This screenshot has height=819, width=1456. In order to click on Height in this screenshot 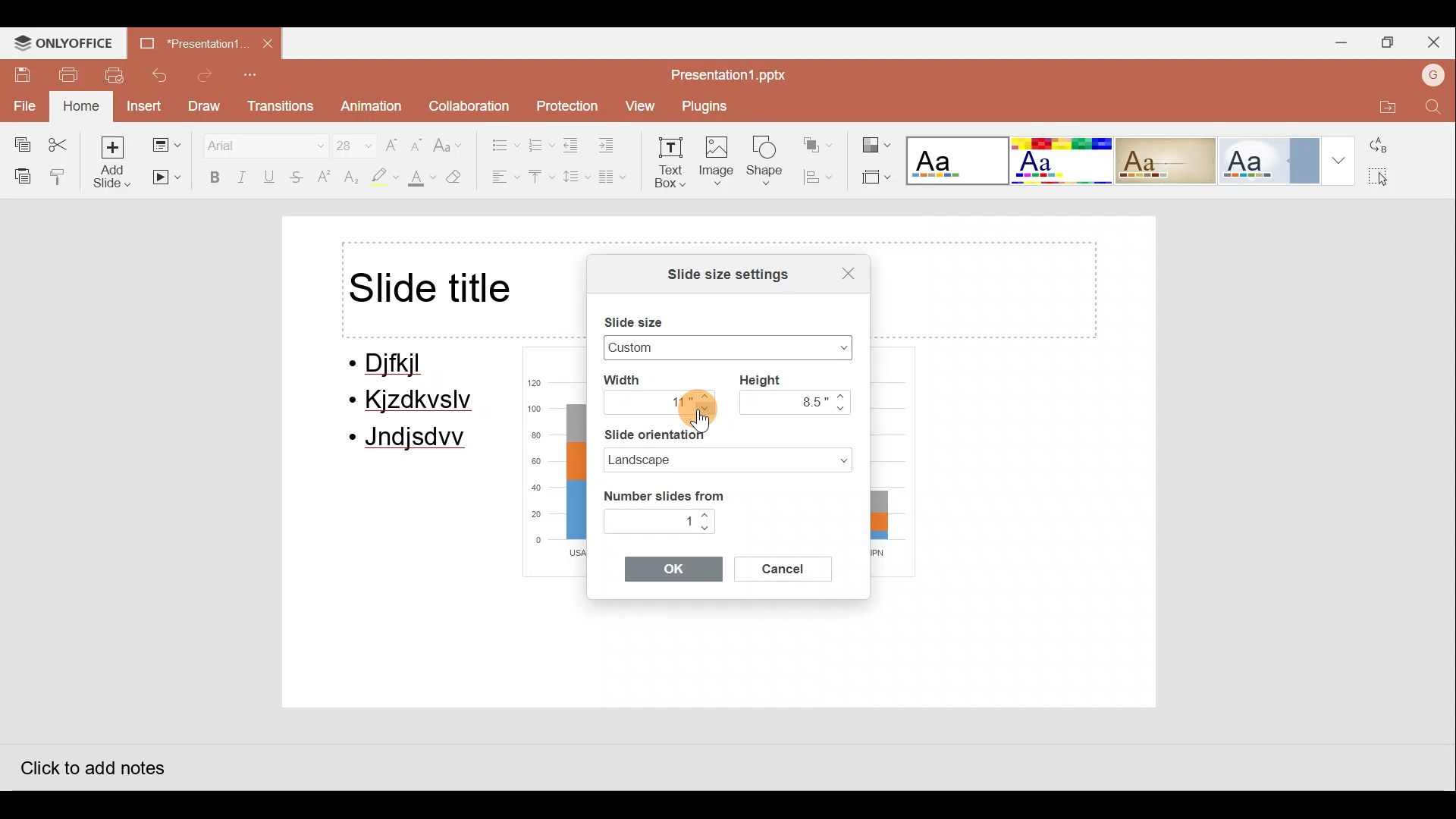, I will do `click(767, 378)`.